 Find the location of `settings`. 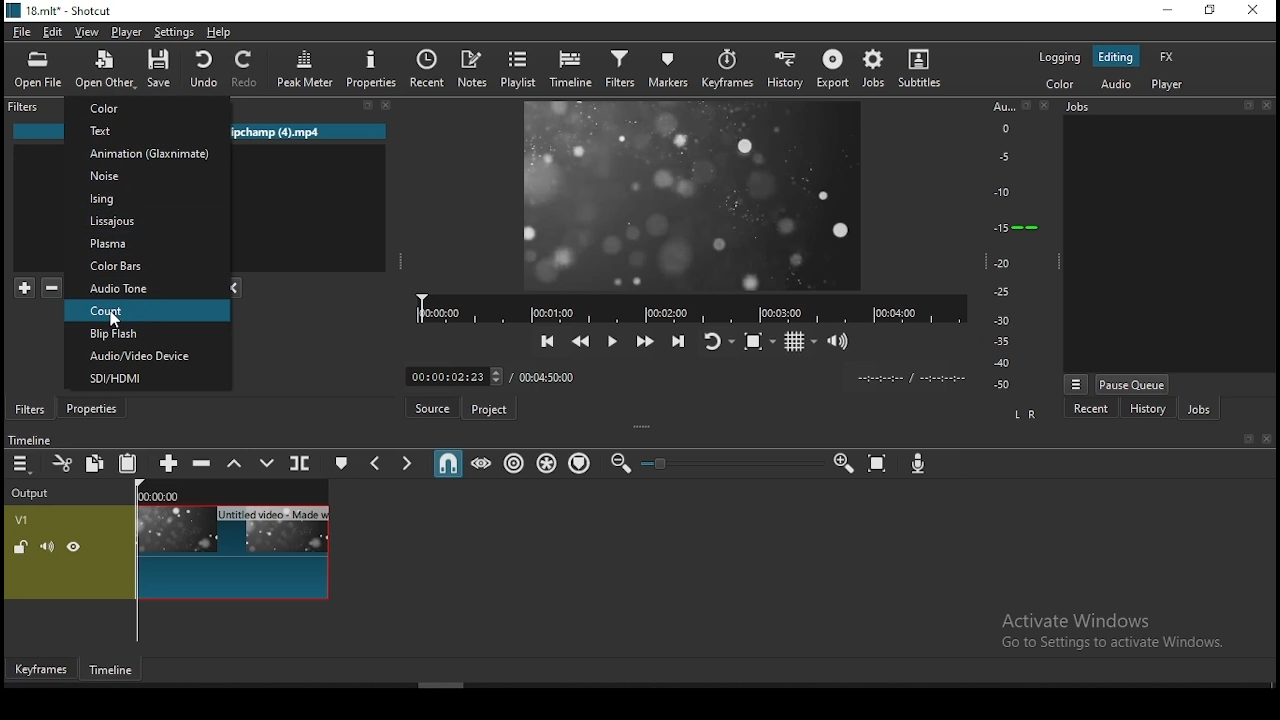

settings is located at coordinates (177, 32).